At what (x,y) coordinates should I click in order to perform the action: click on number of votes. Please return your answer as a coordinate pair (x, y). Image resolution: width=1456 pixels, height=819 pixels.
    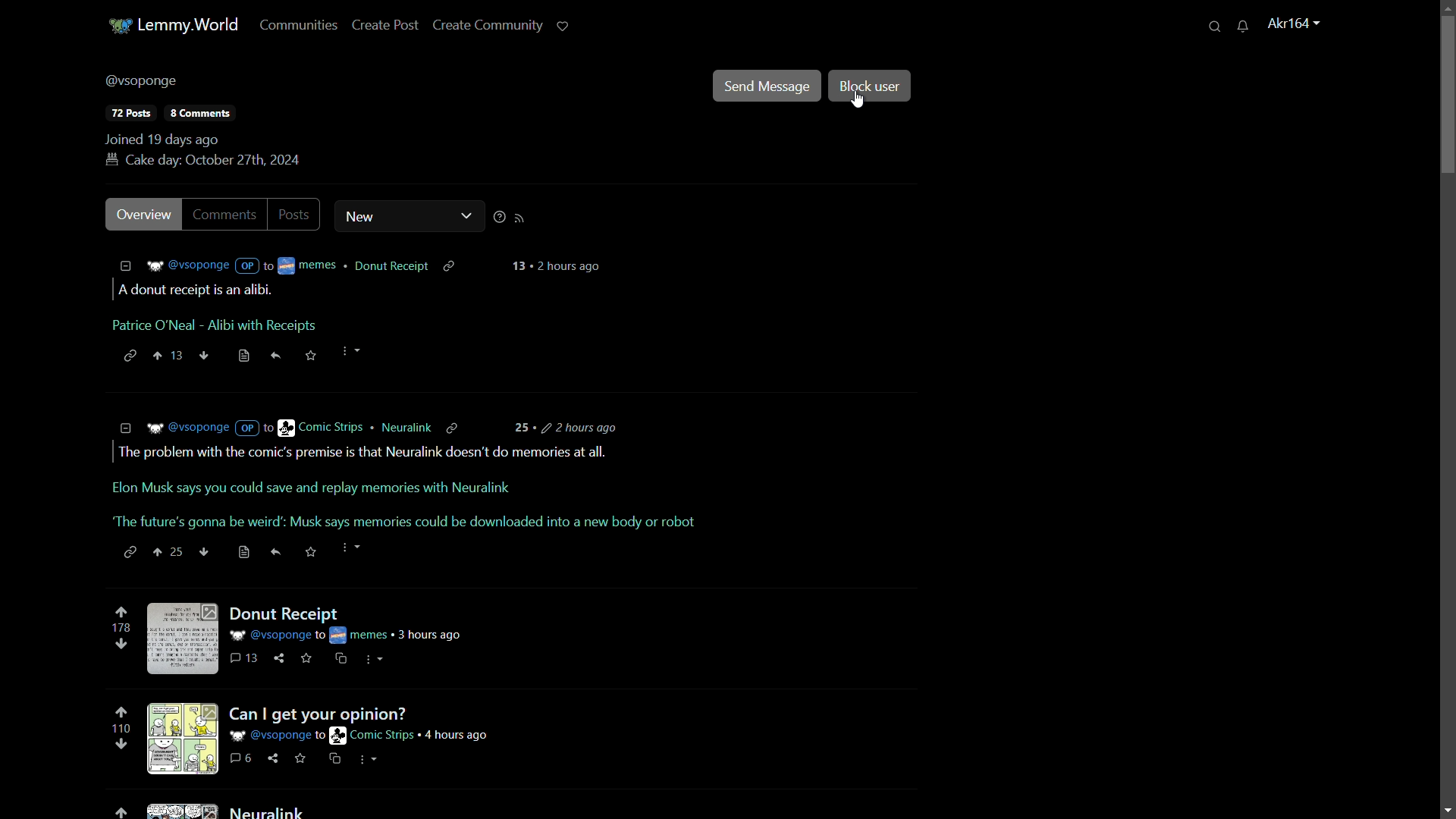
    Looking at the image, I should click on (121, 730).